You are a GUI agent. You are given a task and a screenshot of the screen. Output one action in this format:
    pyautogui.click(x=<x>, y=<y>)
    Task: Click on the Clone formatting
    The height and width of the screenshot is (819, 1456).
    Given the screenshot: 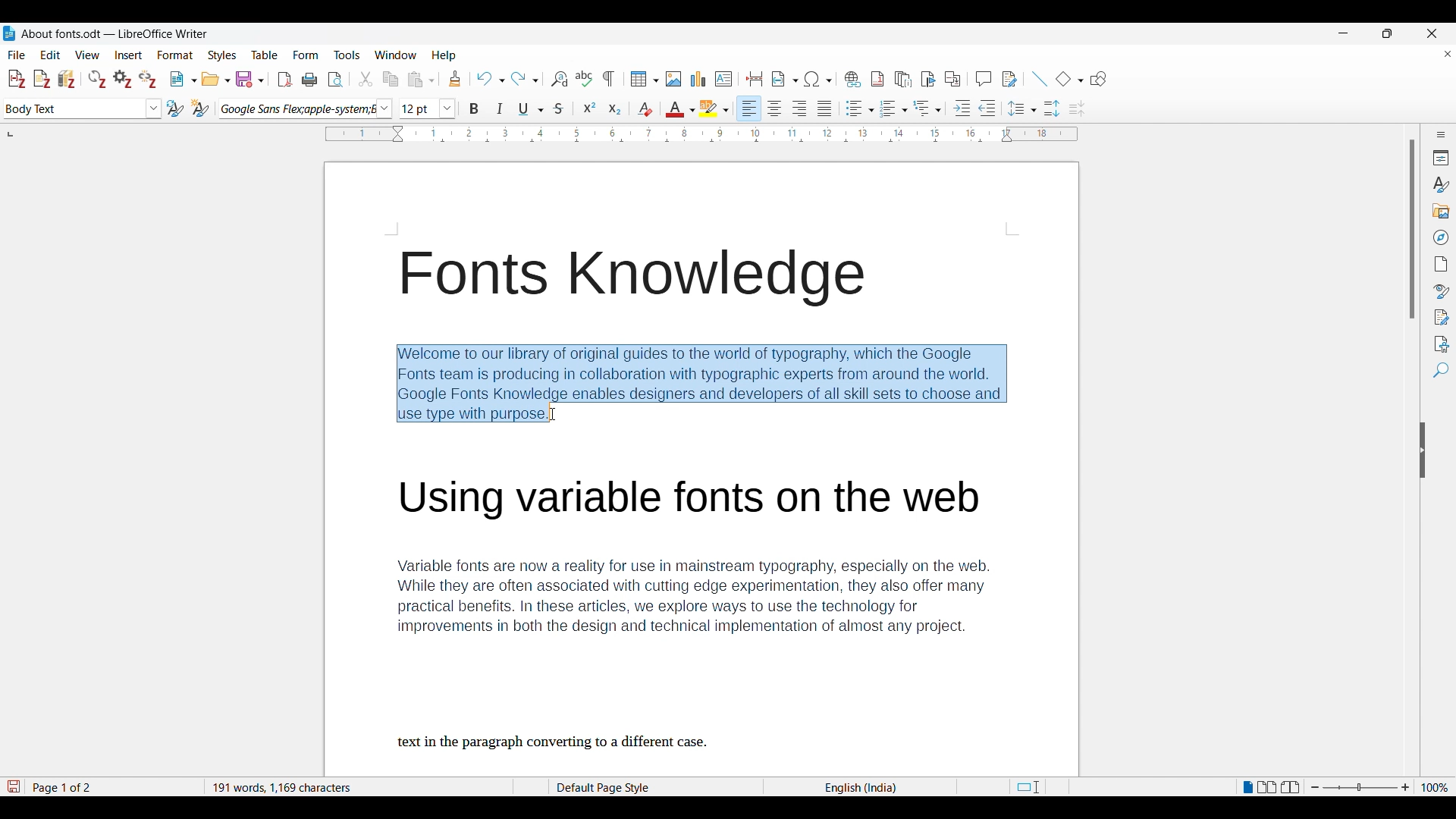 What is the action you would take?
    pyautogui.click(x=455, y=78)
    